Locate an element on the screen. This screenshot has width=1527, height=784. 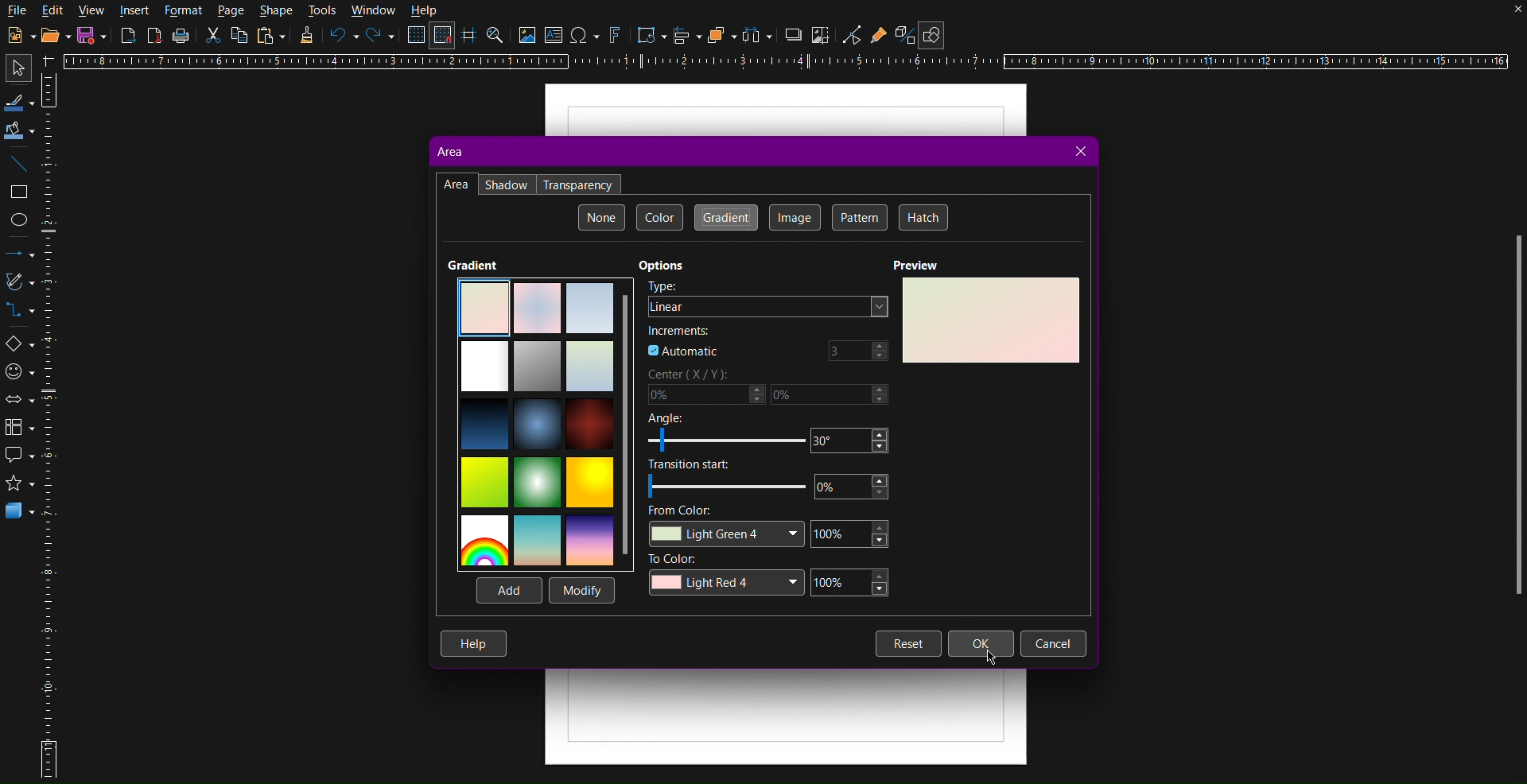
Arrange is located at coordinates (719, 36).